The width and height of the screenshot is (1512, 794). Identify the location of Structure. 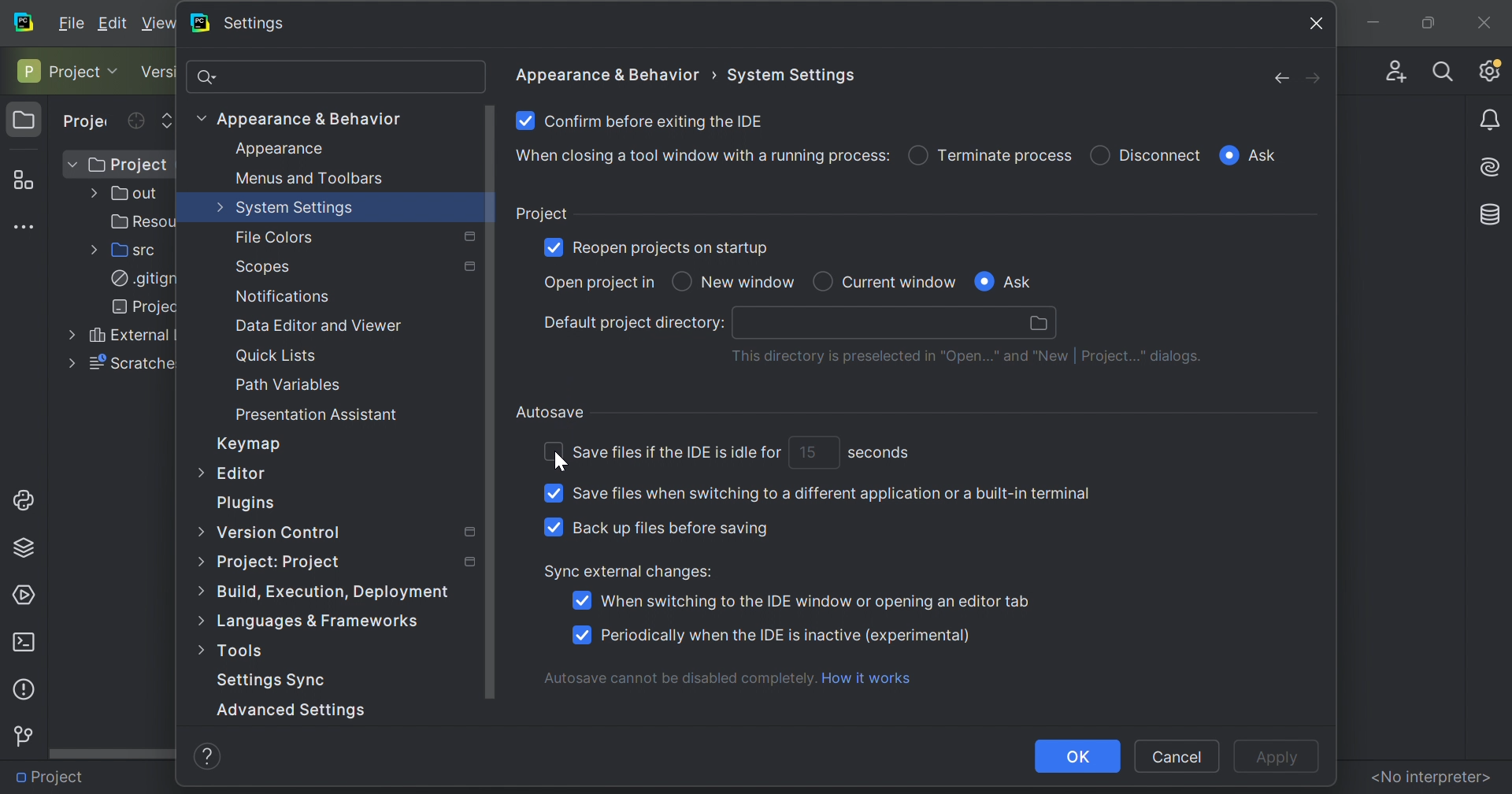
(21, 177).